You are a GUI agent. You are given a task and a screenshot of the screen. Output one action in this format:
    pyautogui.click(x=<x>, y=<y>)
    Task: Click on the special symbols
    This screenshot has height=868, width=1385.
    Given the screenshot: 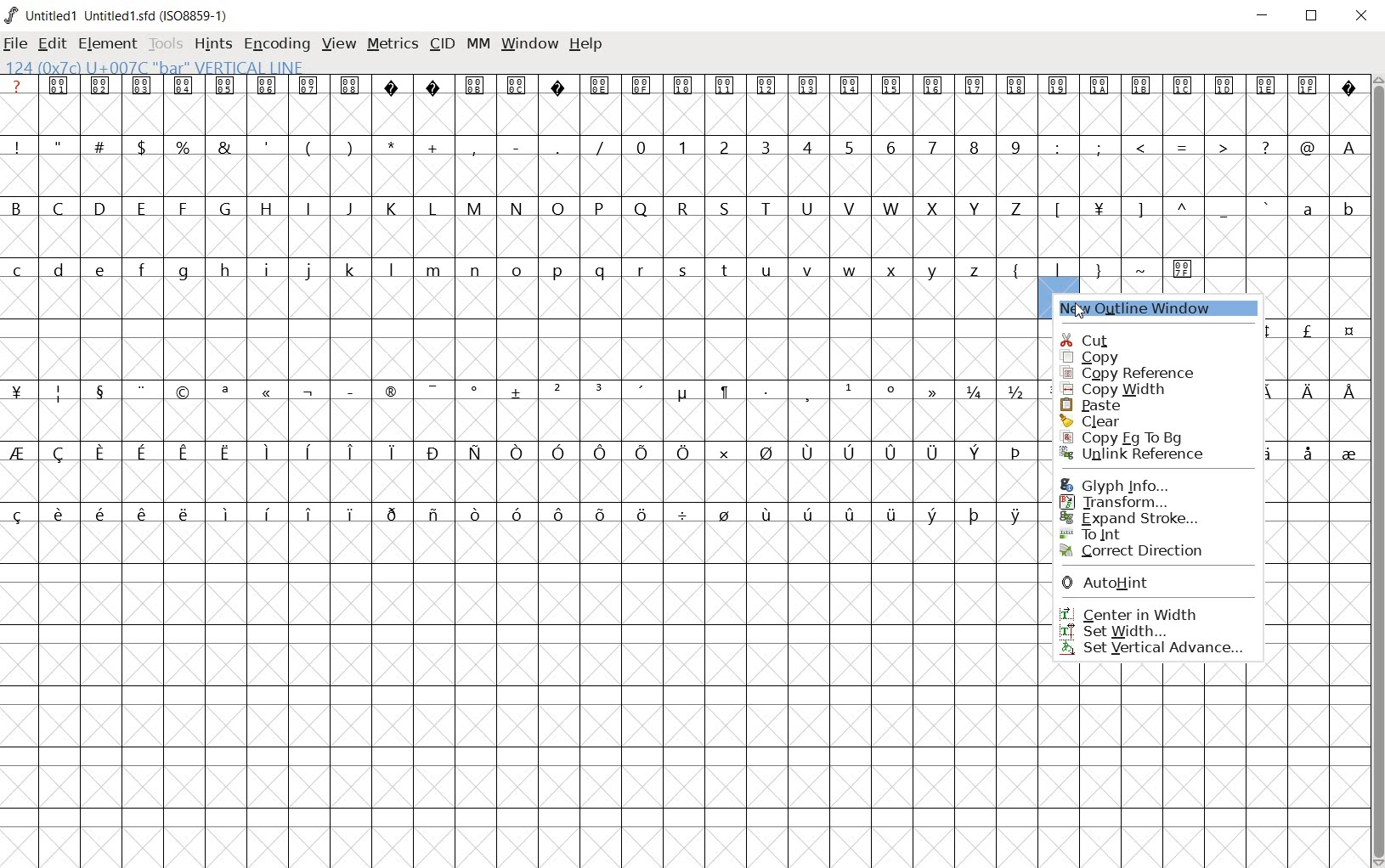 What is the action you would take?
    pyautogui.click(x=518, y=392)
    